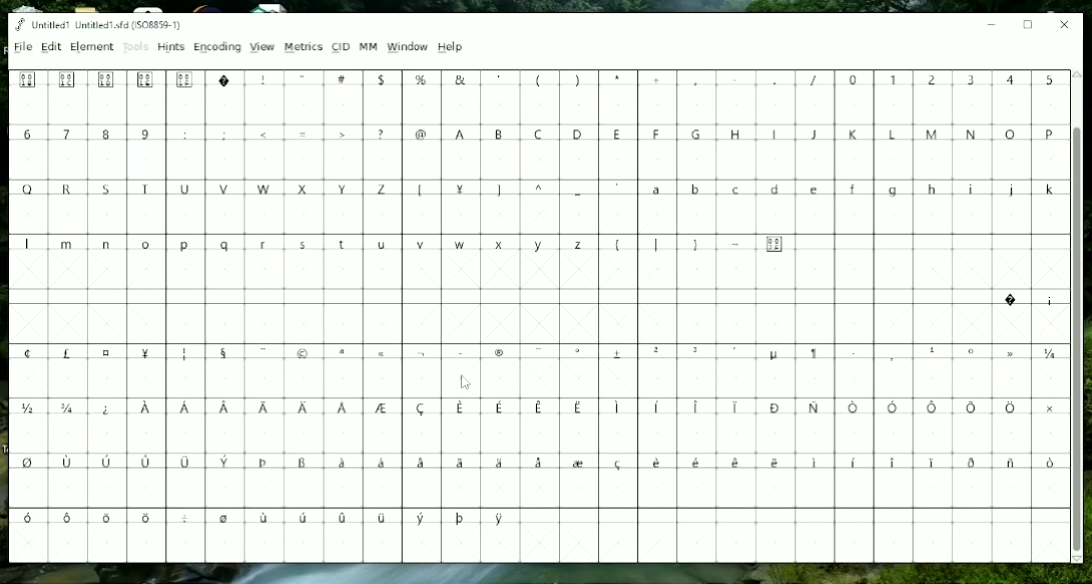  Describe the element at coordinates (535, 466) in the screenshot. I see `Symbols` at that location.